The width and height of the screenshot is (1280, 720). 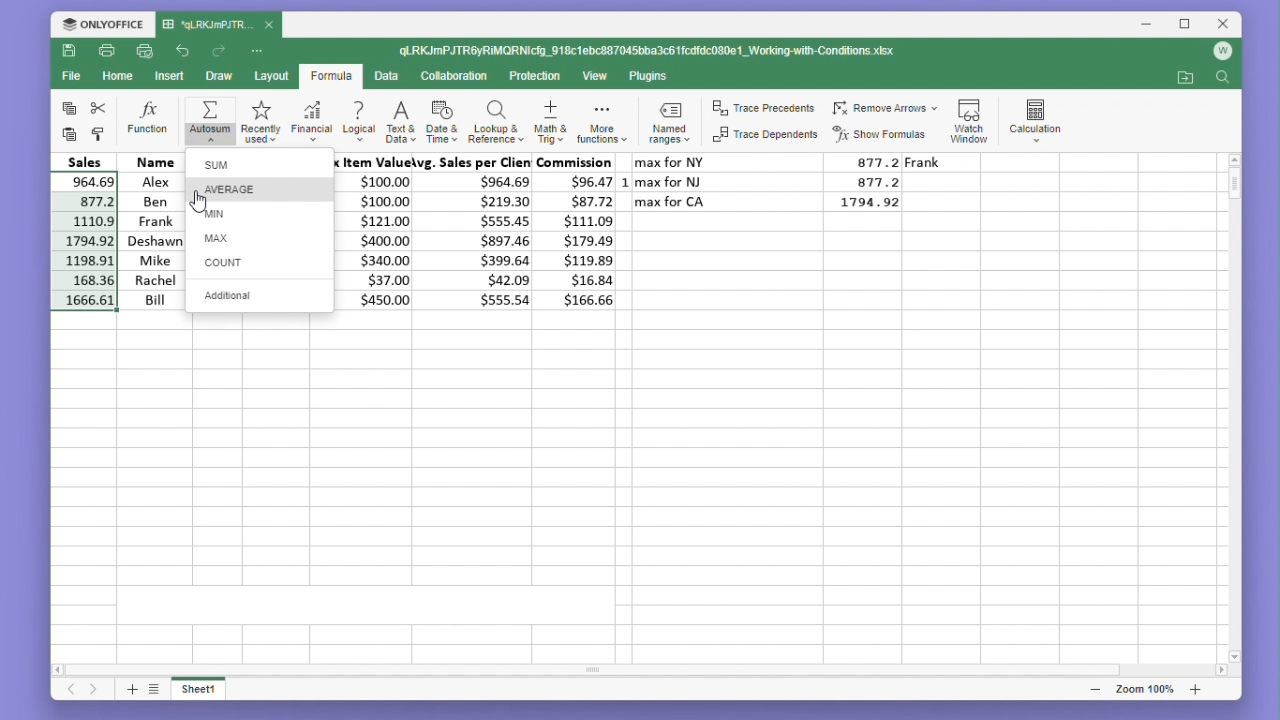 What do you see at coordinates (1234, 159) in the screenshot?
I see `scroll up` at bounding box center [1234, 159].